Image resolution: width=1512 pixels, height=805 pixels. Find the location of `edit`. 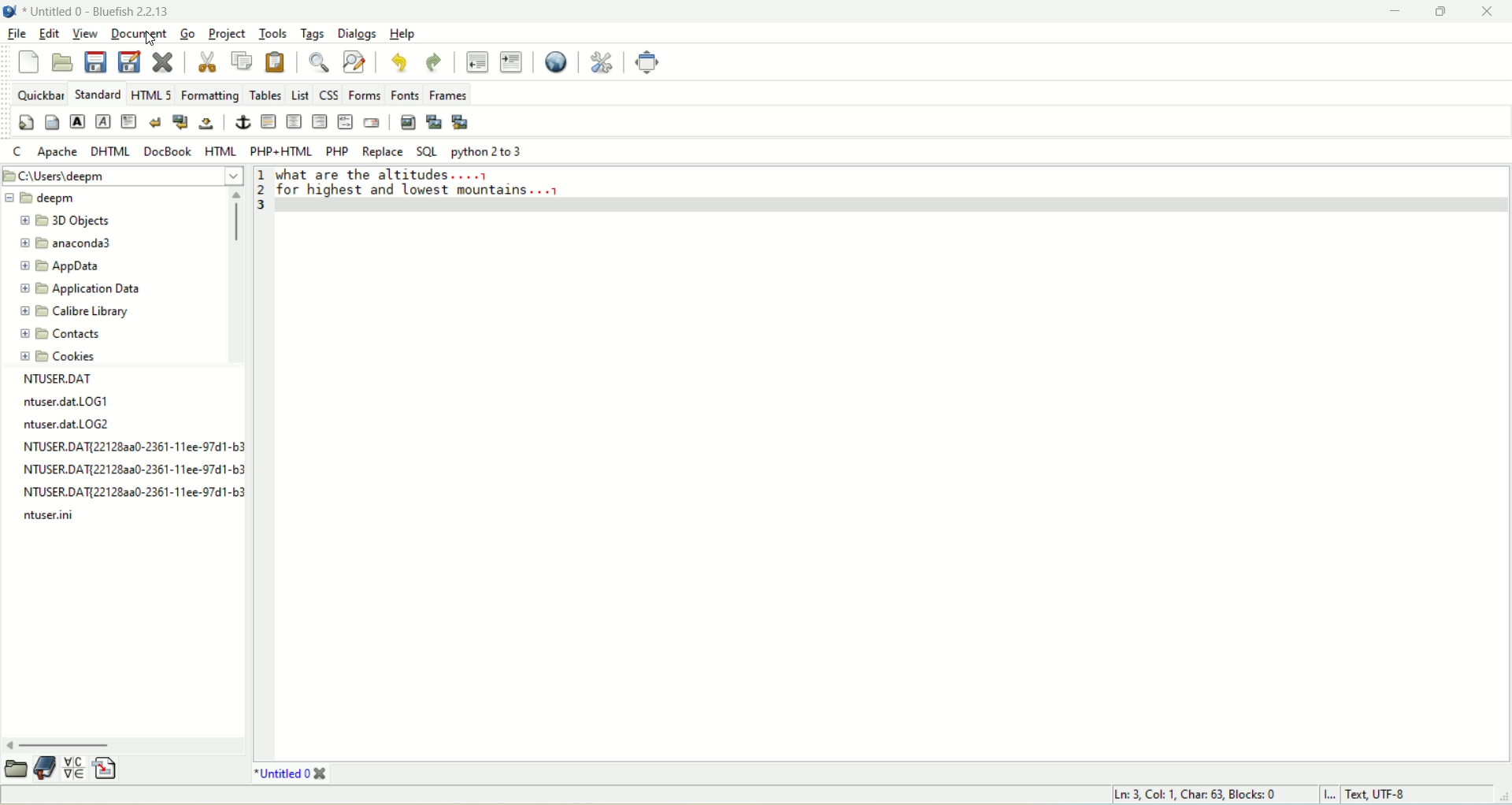

edit is located at coordinates (50, 32).